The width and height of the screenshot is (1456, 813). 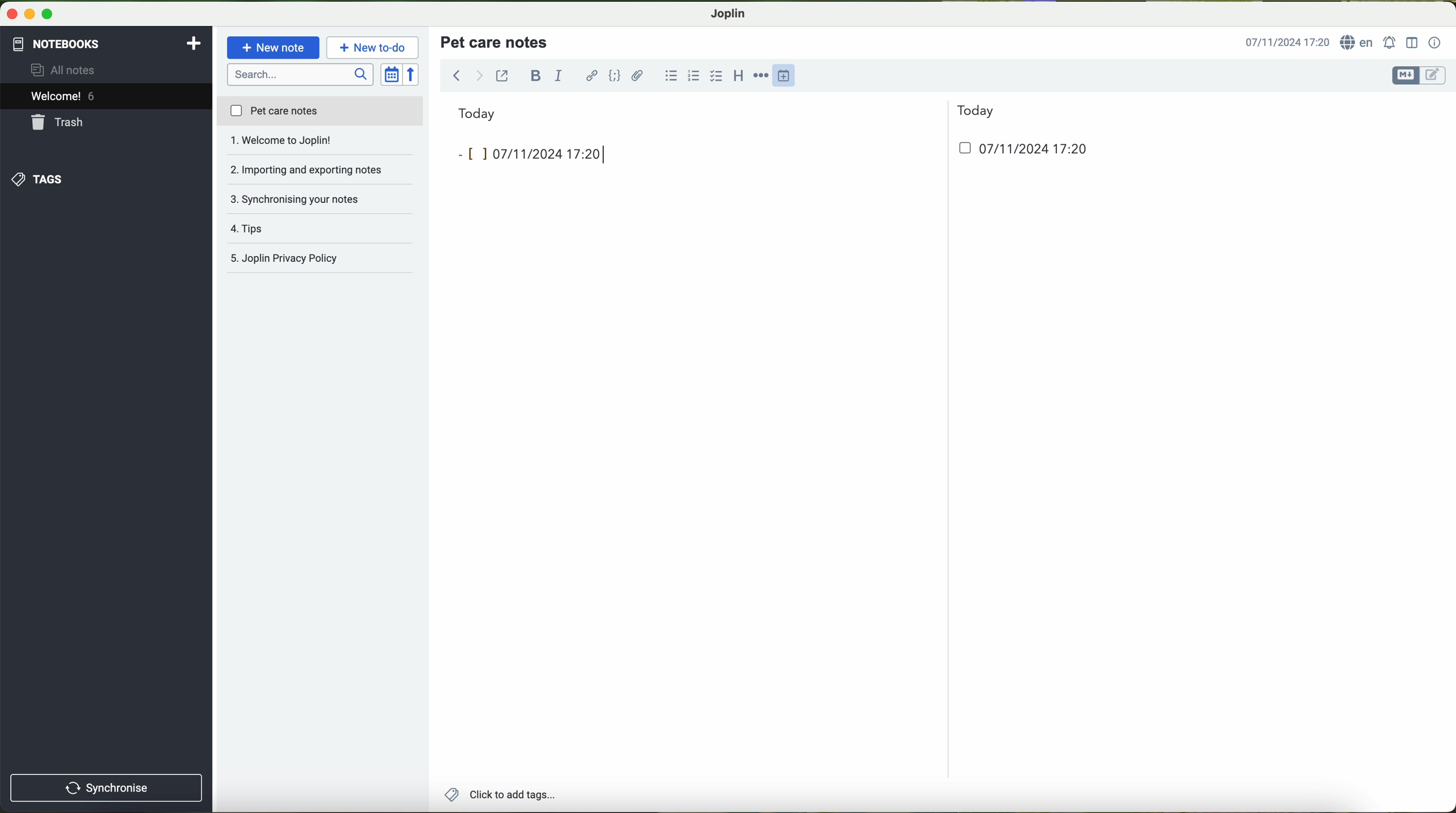 What do you see at coordinates (66, 71) in the screenshot?
I see `all notes` at bounding box center [66, 71].